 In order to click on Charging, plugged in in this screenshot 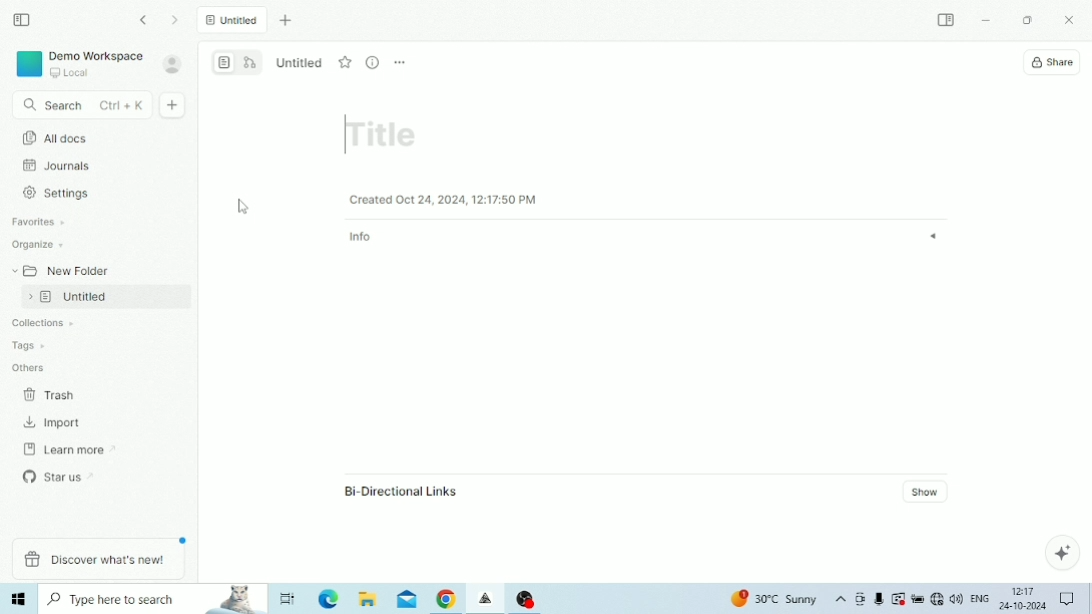, I will do `click(917, 599)`.